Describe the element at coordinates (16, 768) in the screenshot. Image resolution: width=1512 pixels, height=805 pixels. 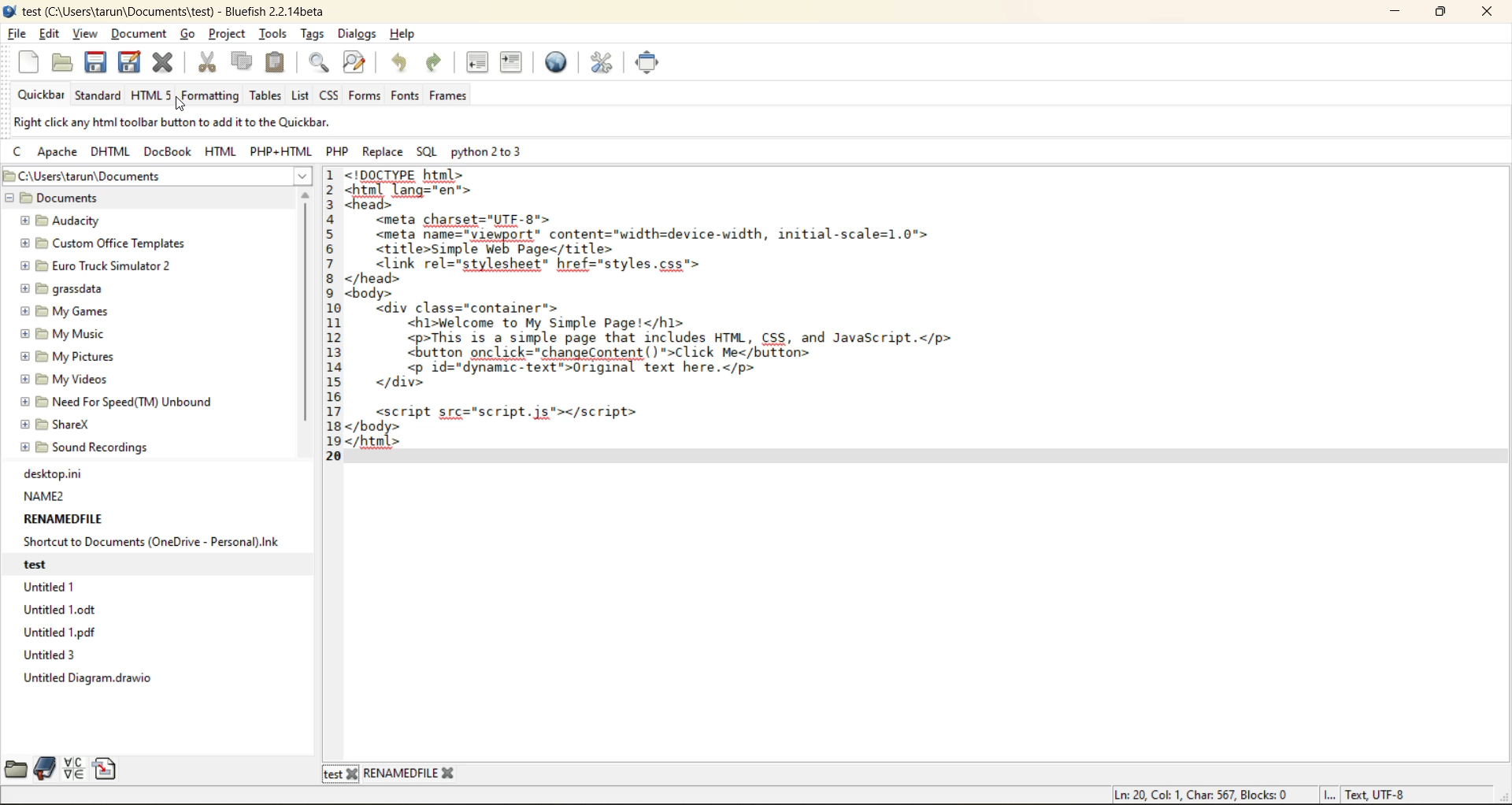
I see `file browser` at that location.